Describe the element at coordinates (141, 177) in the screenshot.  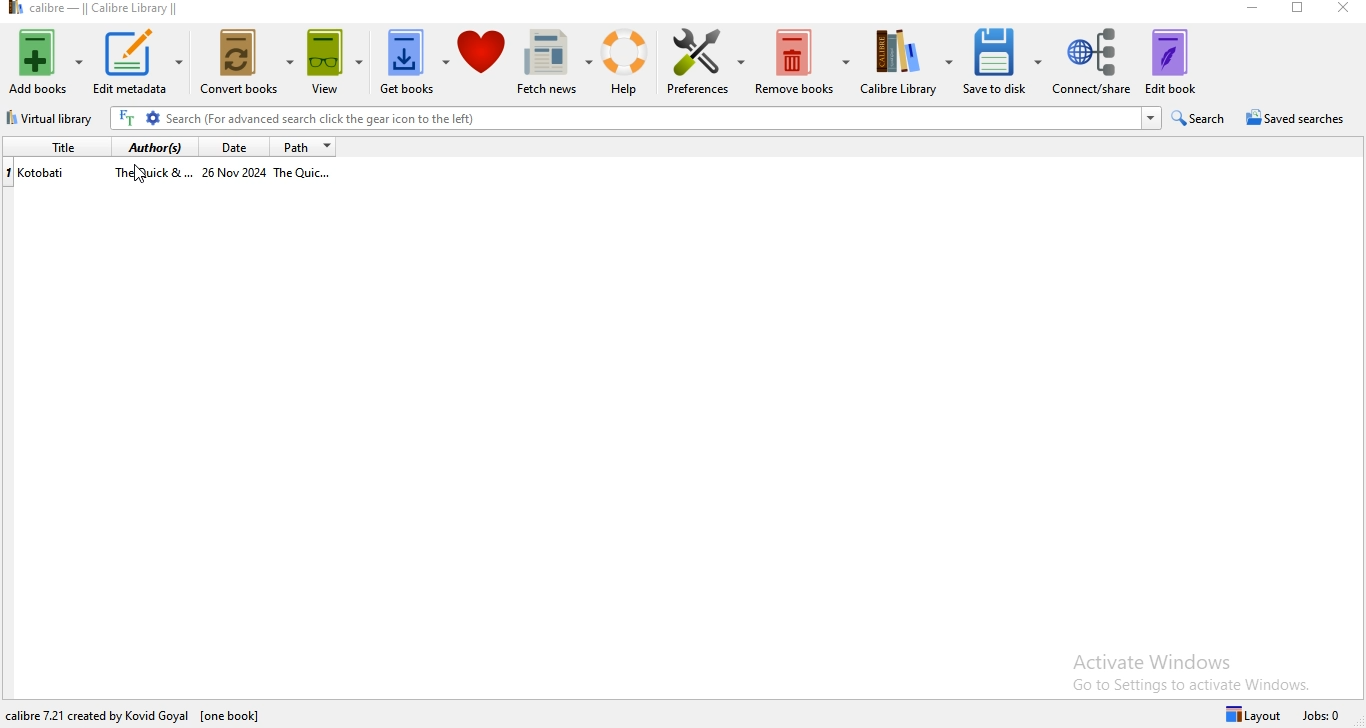
I see `Cursor` at that location.